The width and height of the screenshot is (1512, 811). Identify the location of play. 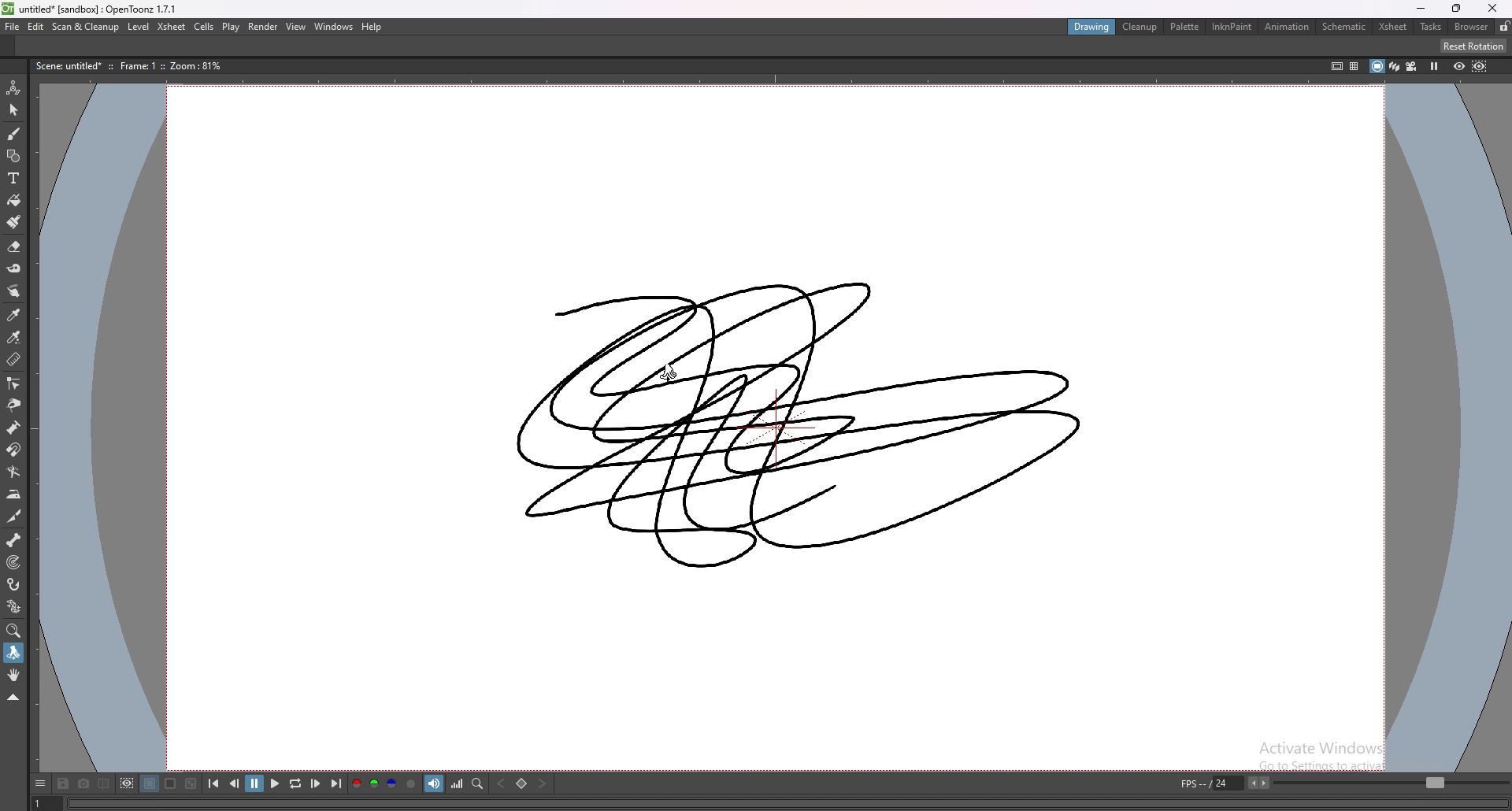
(232, 26).